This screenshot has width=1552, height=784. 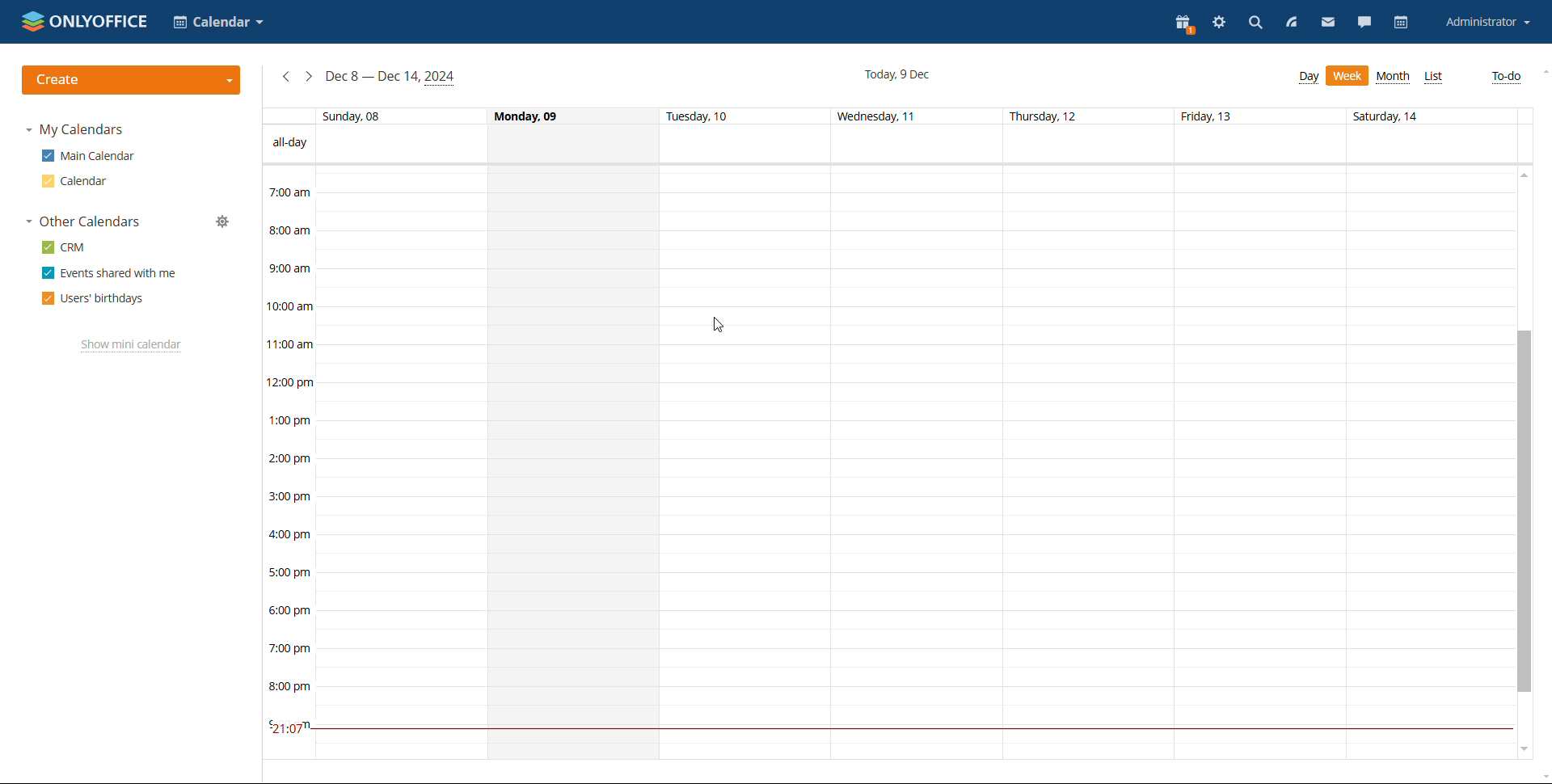 I want to click on all-day events, so click(x=888, y=144).